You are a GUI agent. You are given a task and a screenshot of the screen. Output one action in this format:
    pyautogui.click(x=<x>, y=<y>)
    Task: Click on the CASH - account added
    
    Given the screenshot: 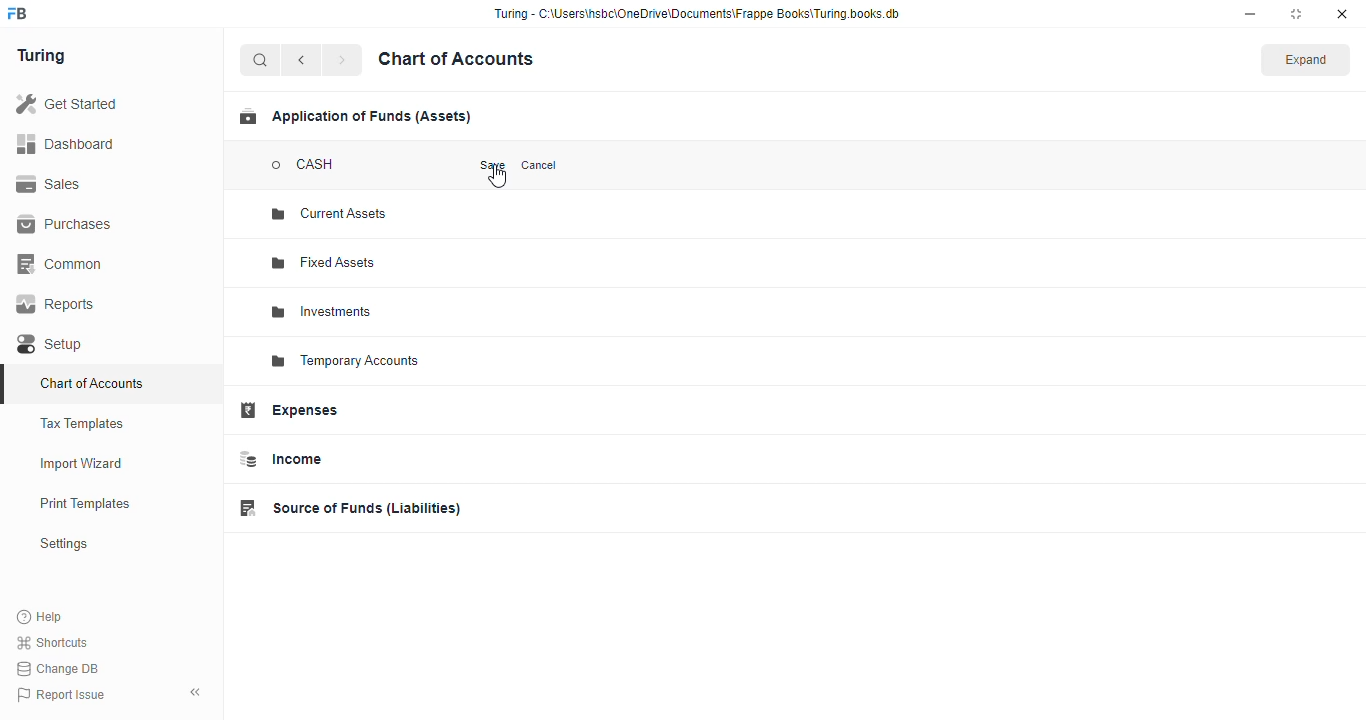 What is the action you would take?
    pyautogui.click(x=314, y=165)
    